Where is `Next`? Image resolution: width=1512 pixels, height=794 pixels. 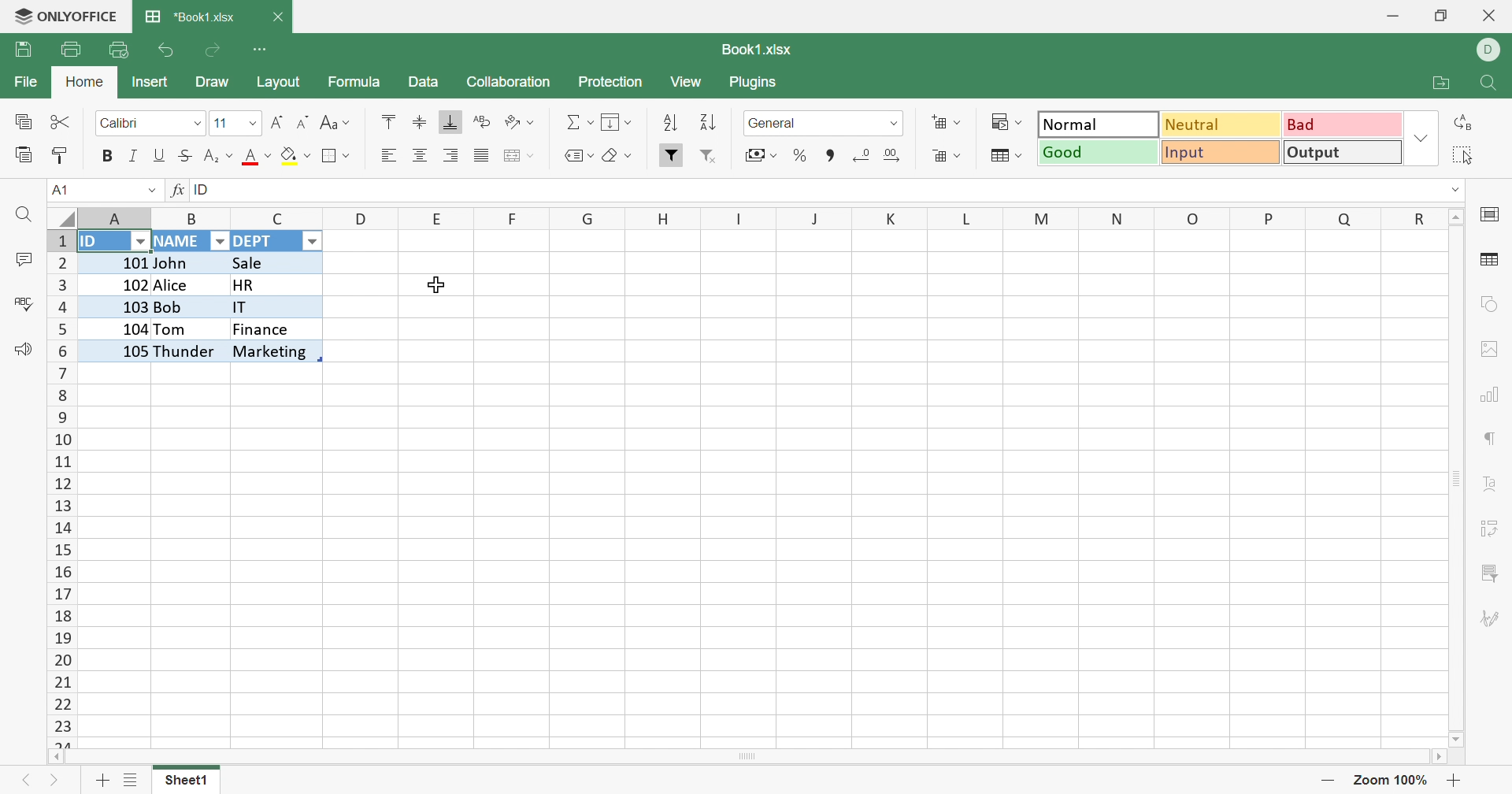 Next is located at coordinates (55, 781).